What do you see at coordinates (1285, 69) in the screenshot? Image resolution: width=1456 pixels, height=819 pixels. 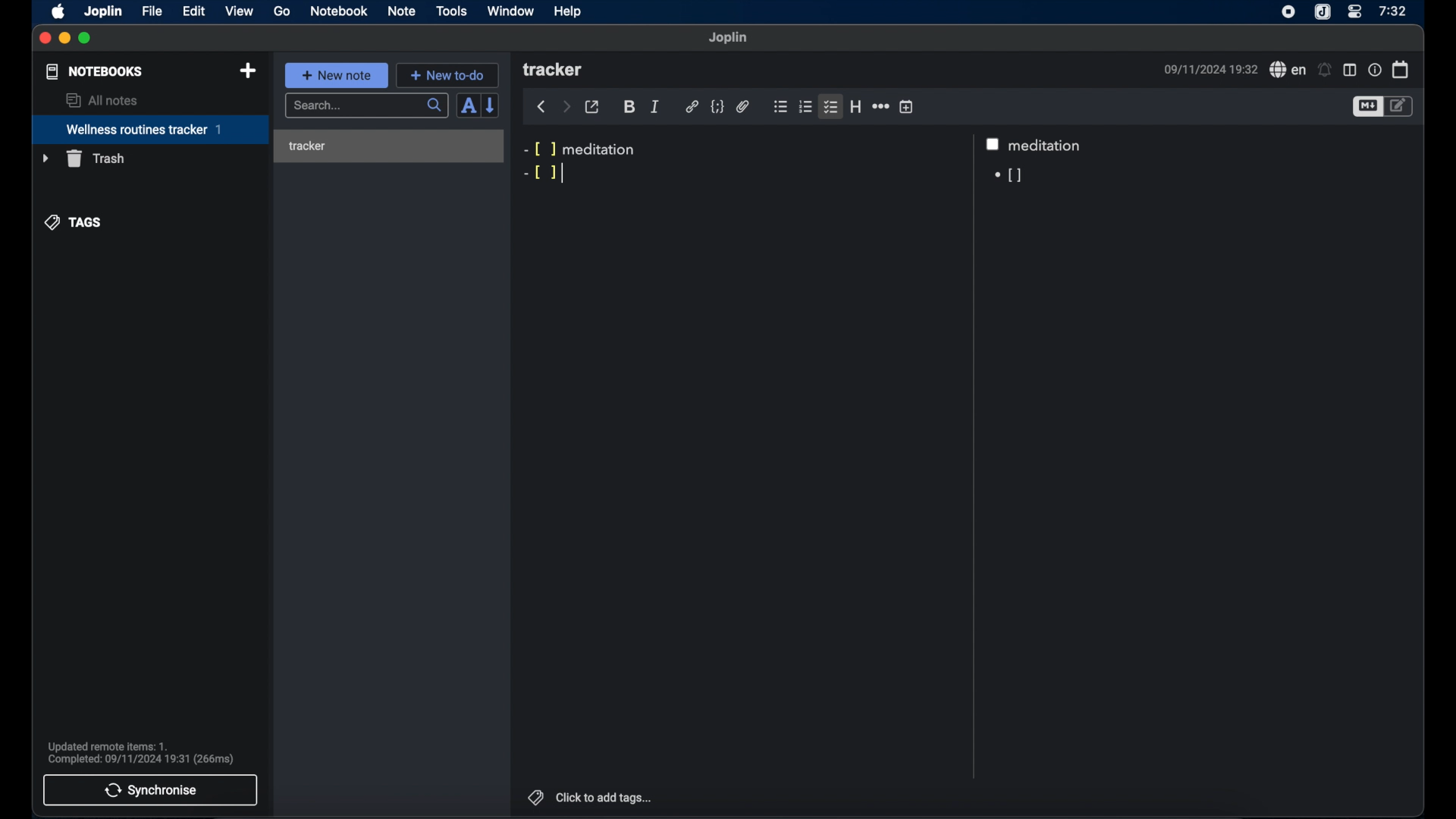 I see `spell check` at bounding box center [1285, 69].